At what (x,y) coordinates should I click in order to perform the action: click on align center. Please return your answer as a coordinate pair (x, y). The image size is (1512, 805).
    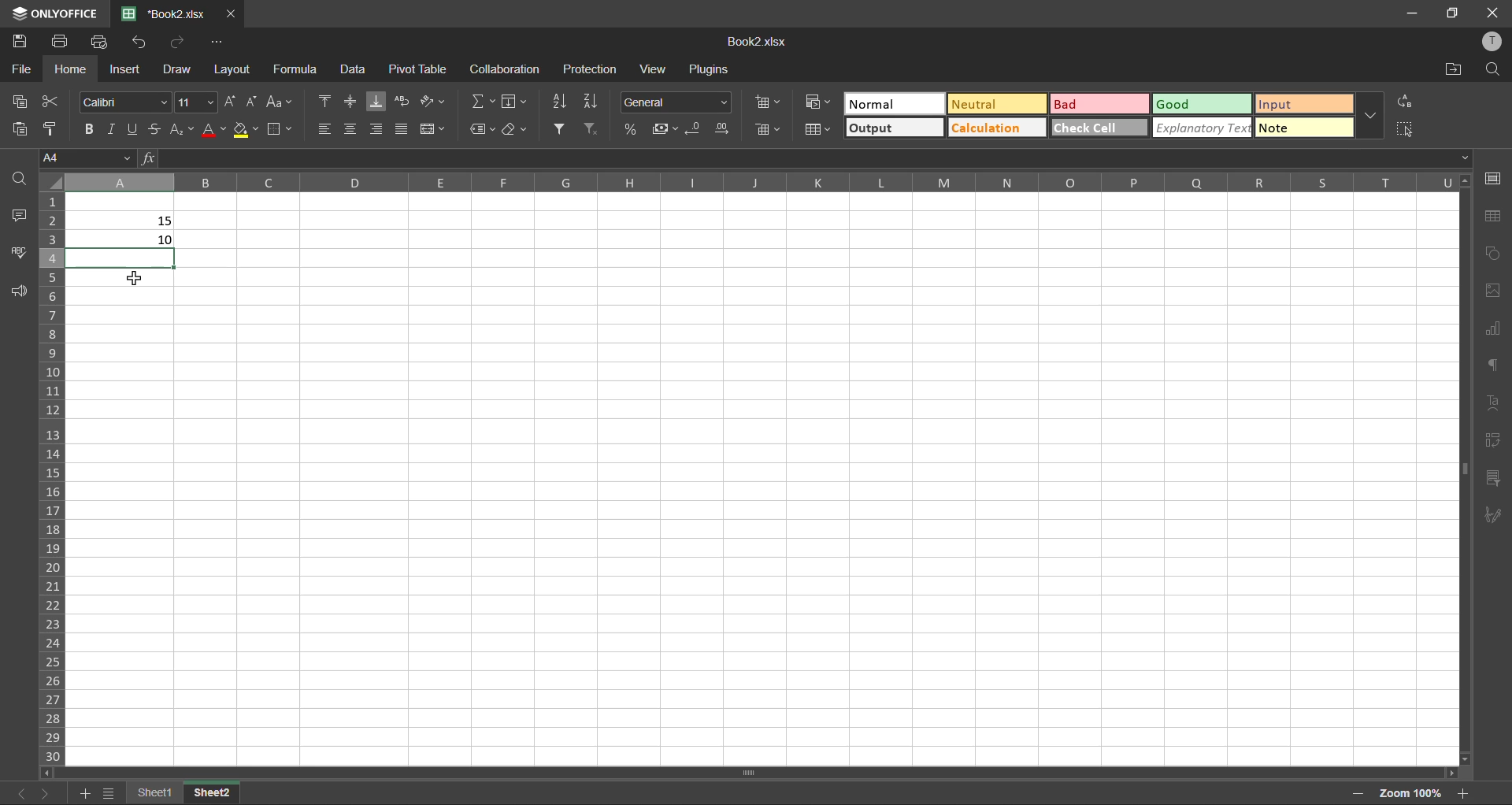
    Looking at the image, I should click on (352, 129).